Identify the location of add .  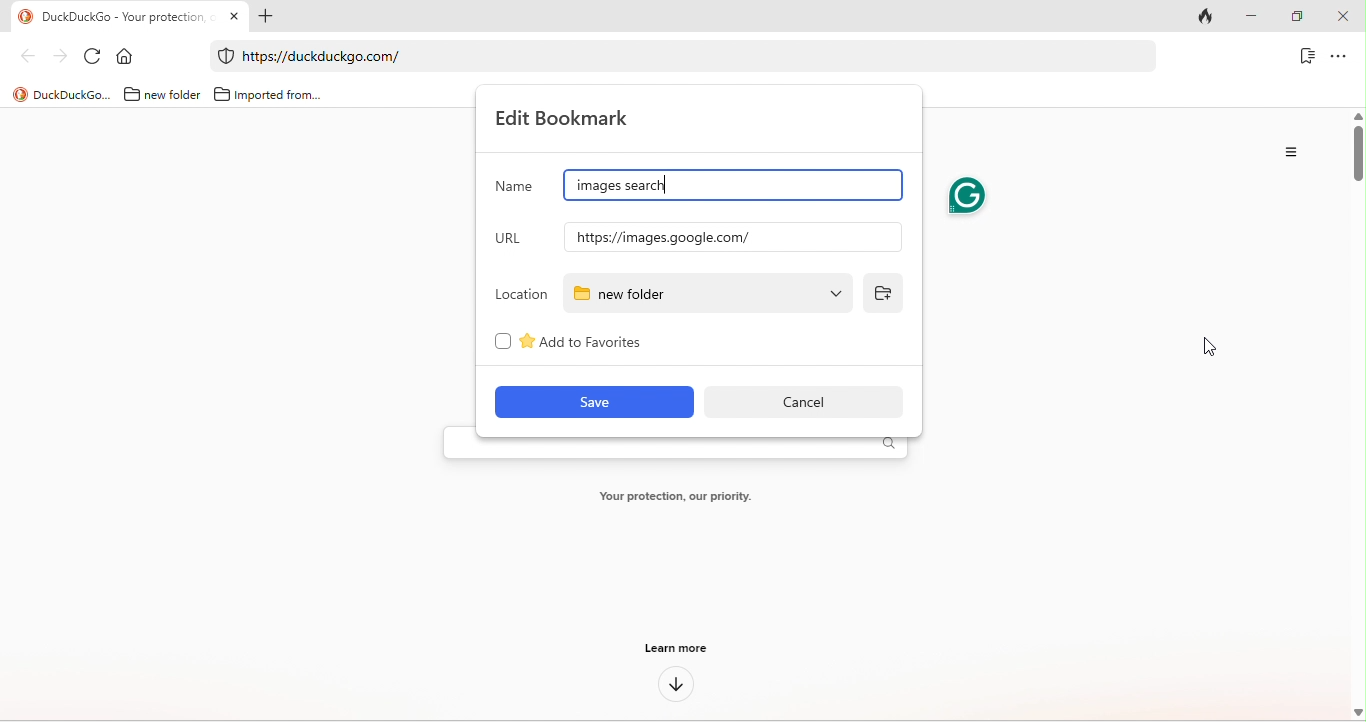
(271, 17).